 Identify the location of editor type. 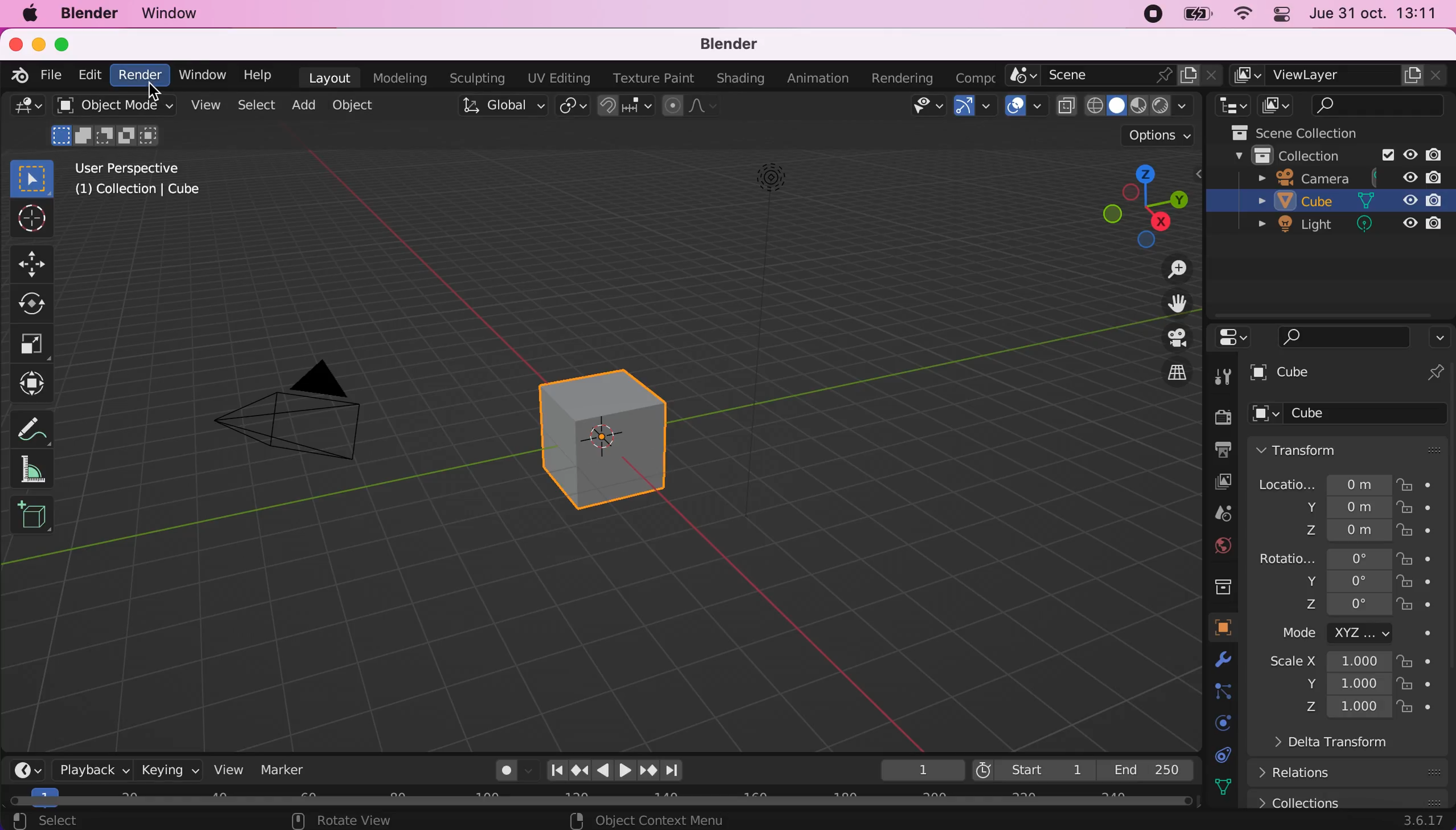
(27, 770).